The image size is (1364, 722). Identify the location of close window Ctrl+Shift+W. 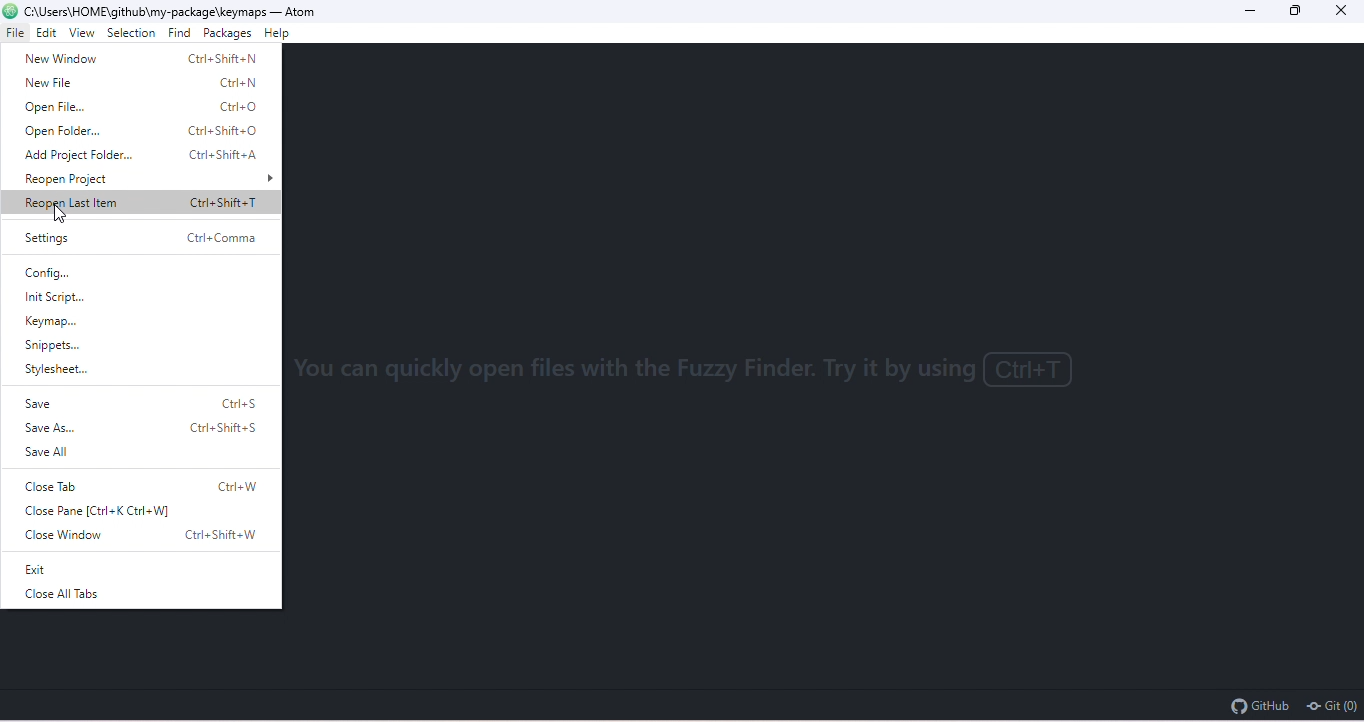
(145, 538).